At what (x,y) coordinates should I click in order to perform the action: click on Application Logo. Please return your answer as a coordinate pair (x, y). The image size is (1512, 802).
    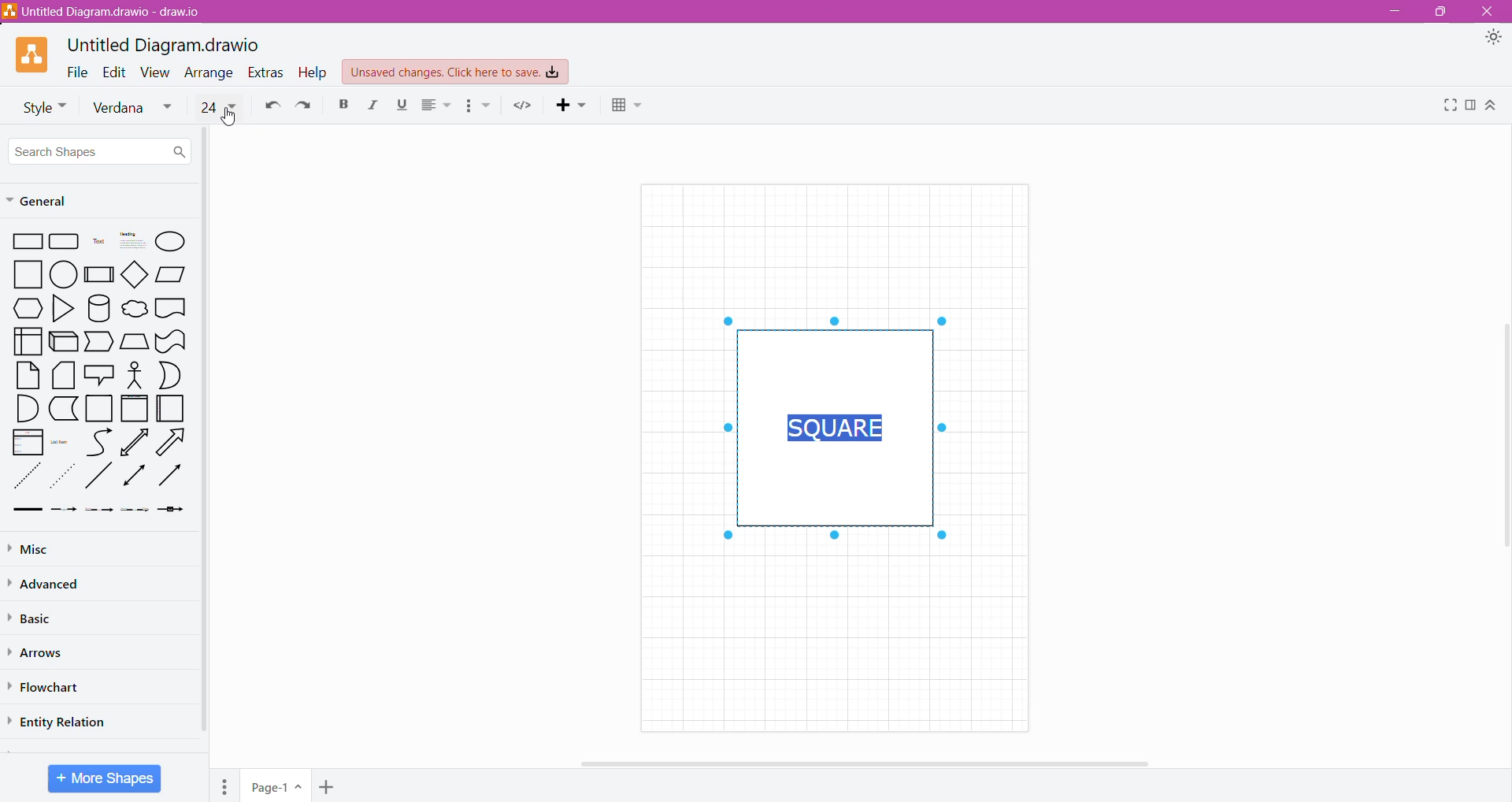
    Looking at the image, I should click on (33, 55).